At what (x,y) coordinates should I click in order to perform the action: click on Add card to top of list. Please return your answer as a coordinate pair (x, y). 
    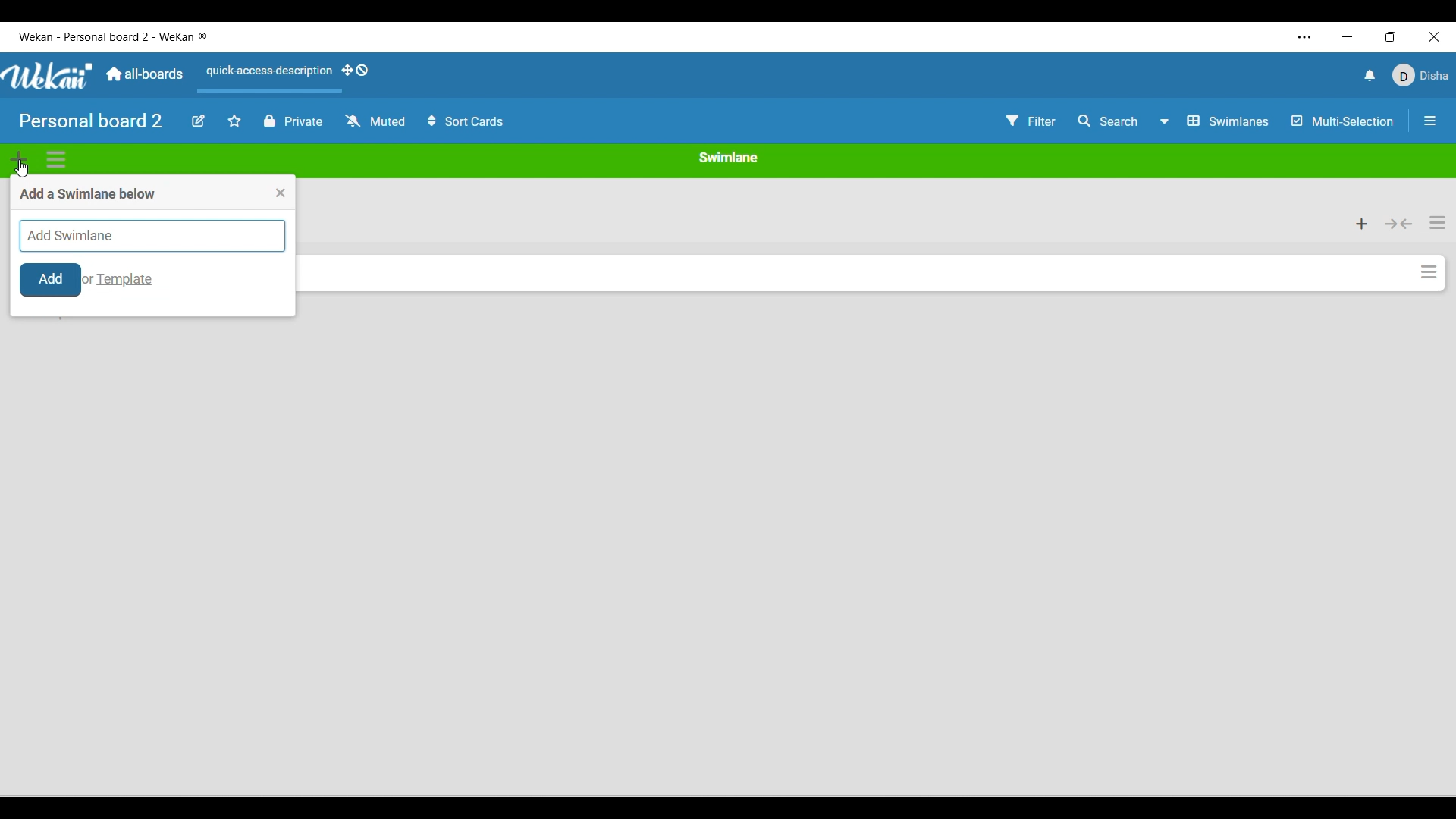
    Looking at the image, I should click on (1363, 224).